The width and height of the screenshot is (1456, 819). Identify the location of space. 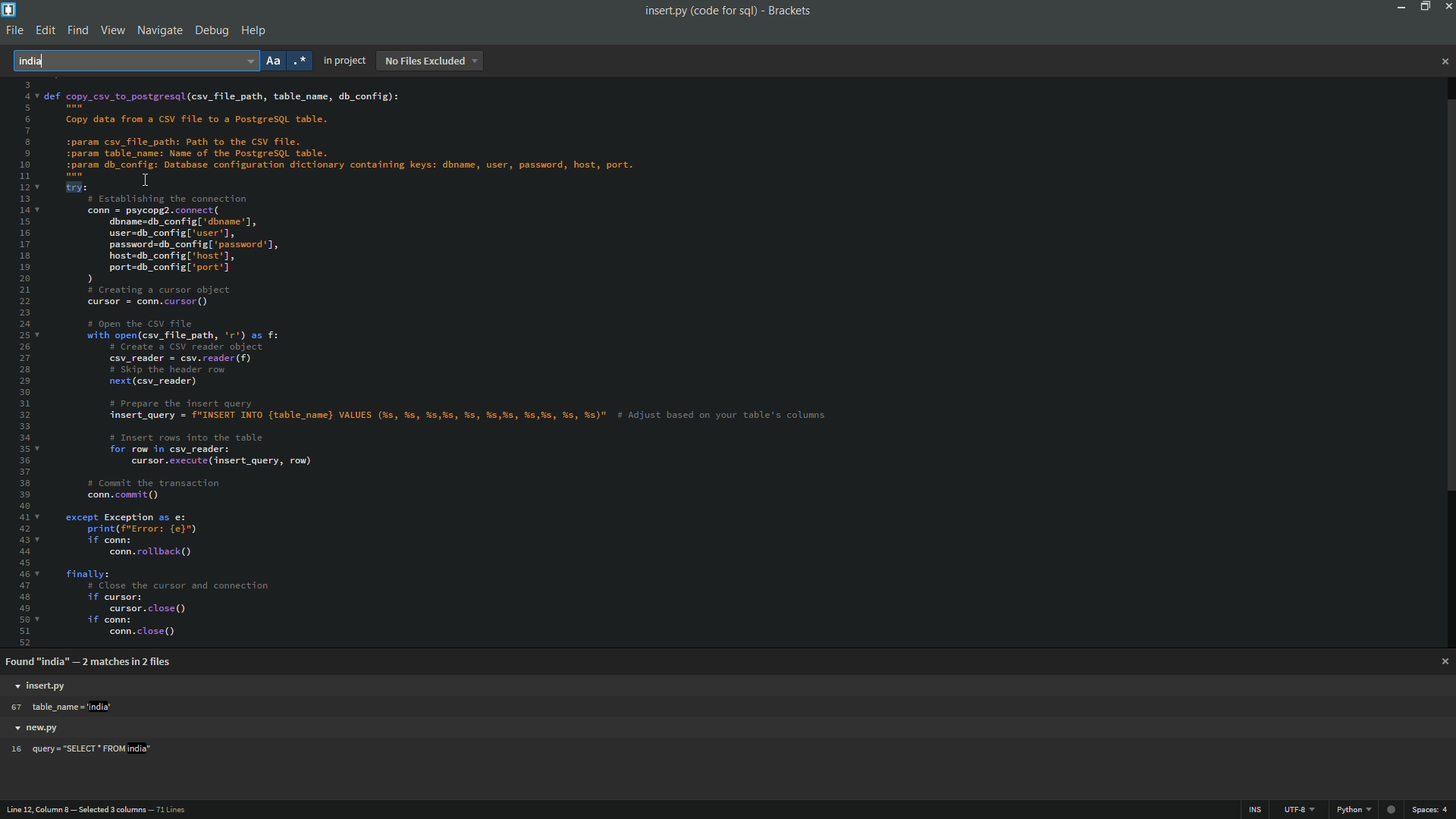
(1432, 810).